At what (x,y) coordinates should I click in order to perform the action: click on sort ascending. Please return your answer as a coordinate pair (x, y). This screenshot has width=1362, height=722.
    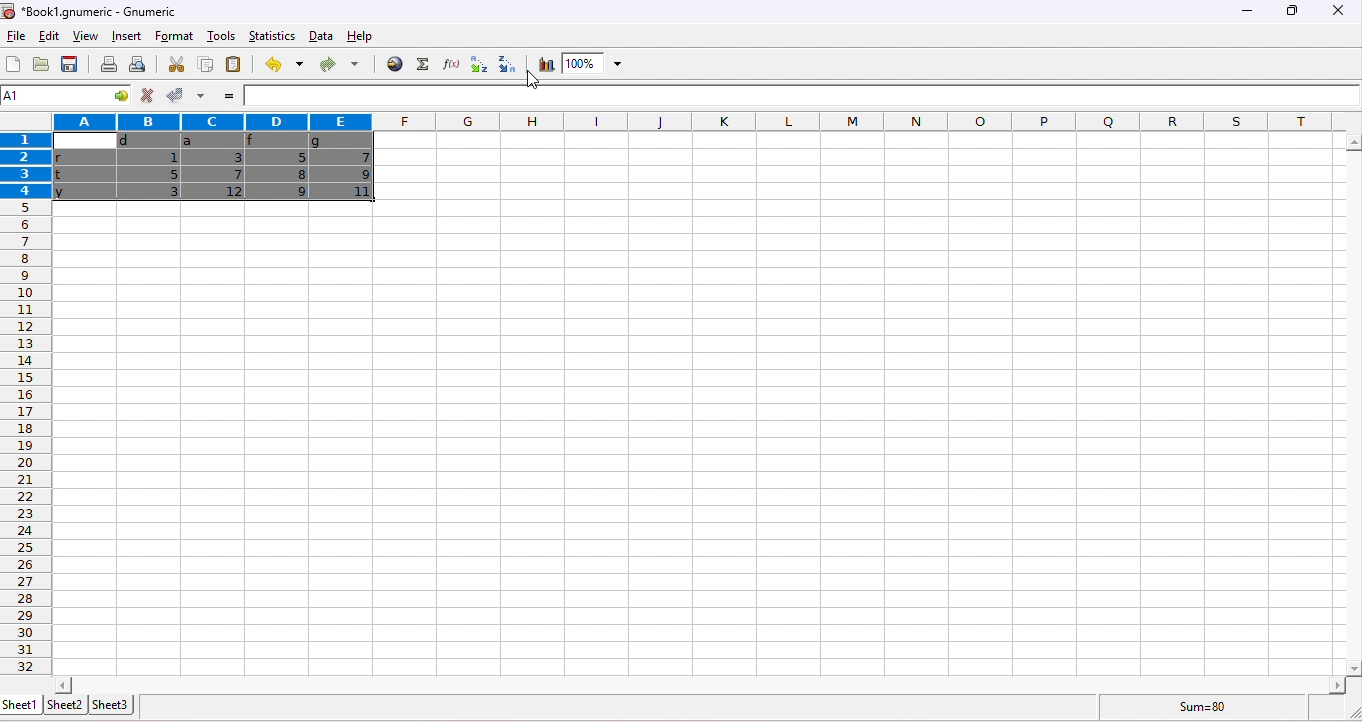
    Looking at the image, I should click on (477, 64).